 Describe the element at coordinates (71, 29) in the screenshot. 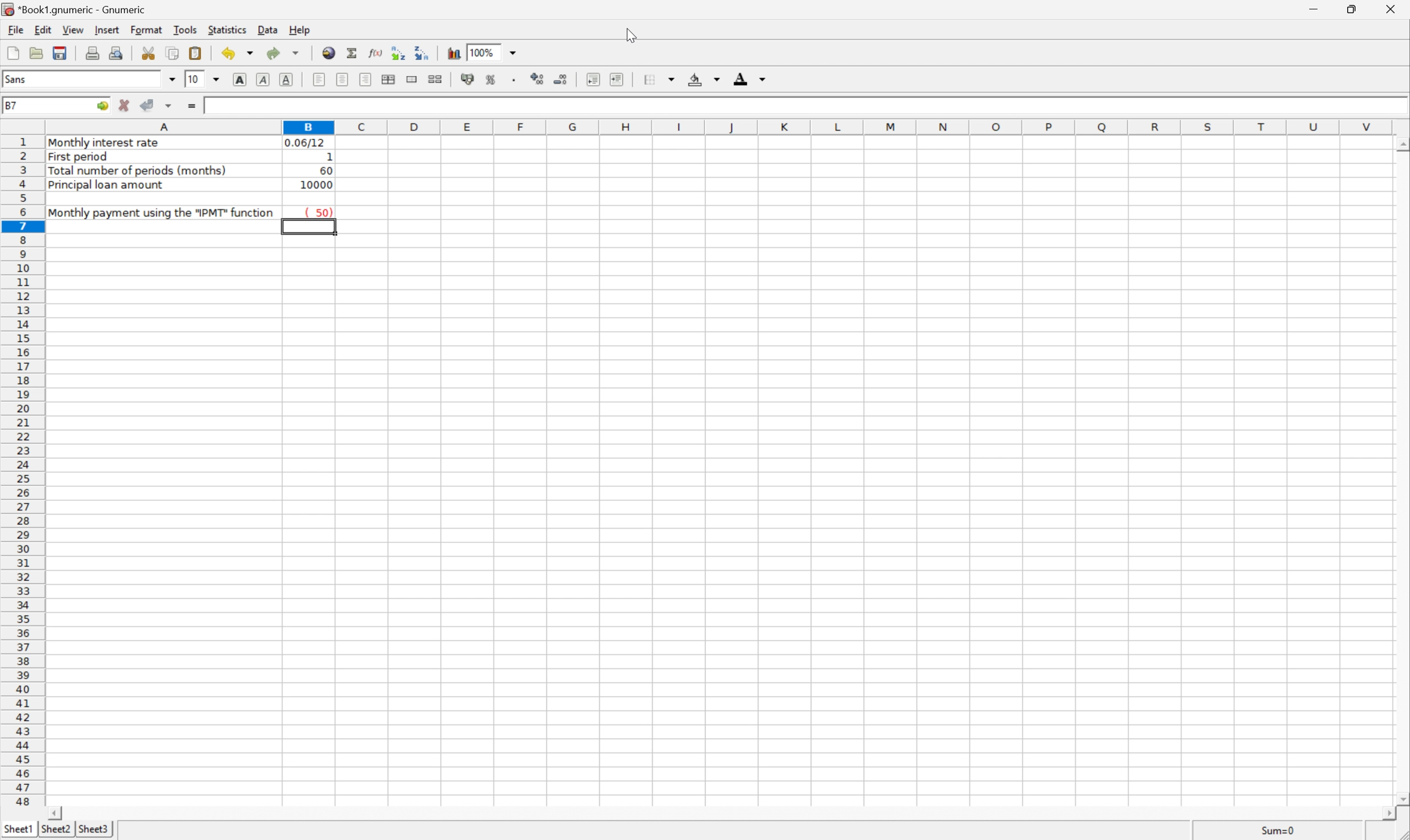

I see `View` at that location.